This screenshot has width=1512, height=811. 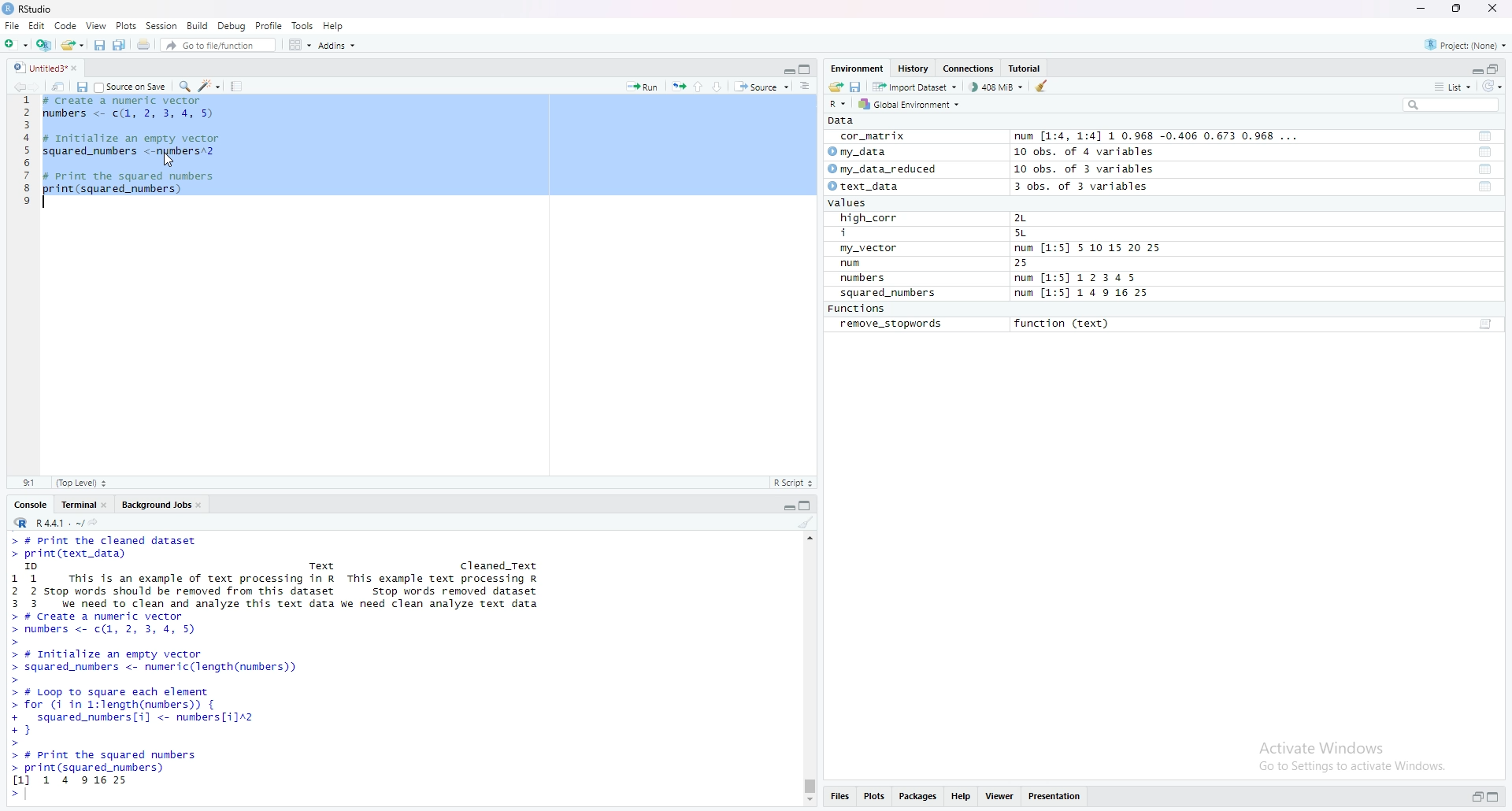 I want to click on Source, so click(x=762, y=86).